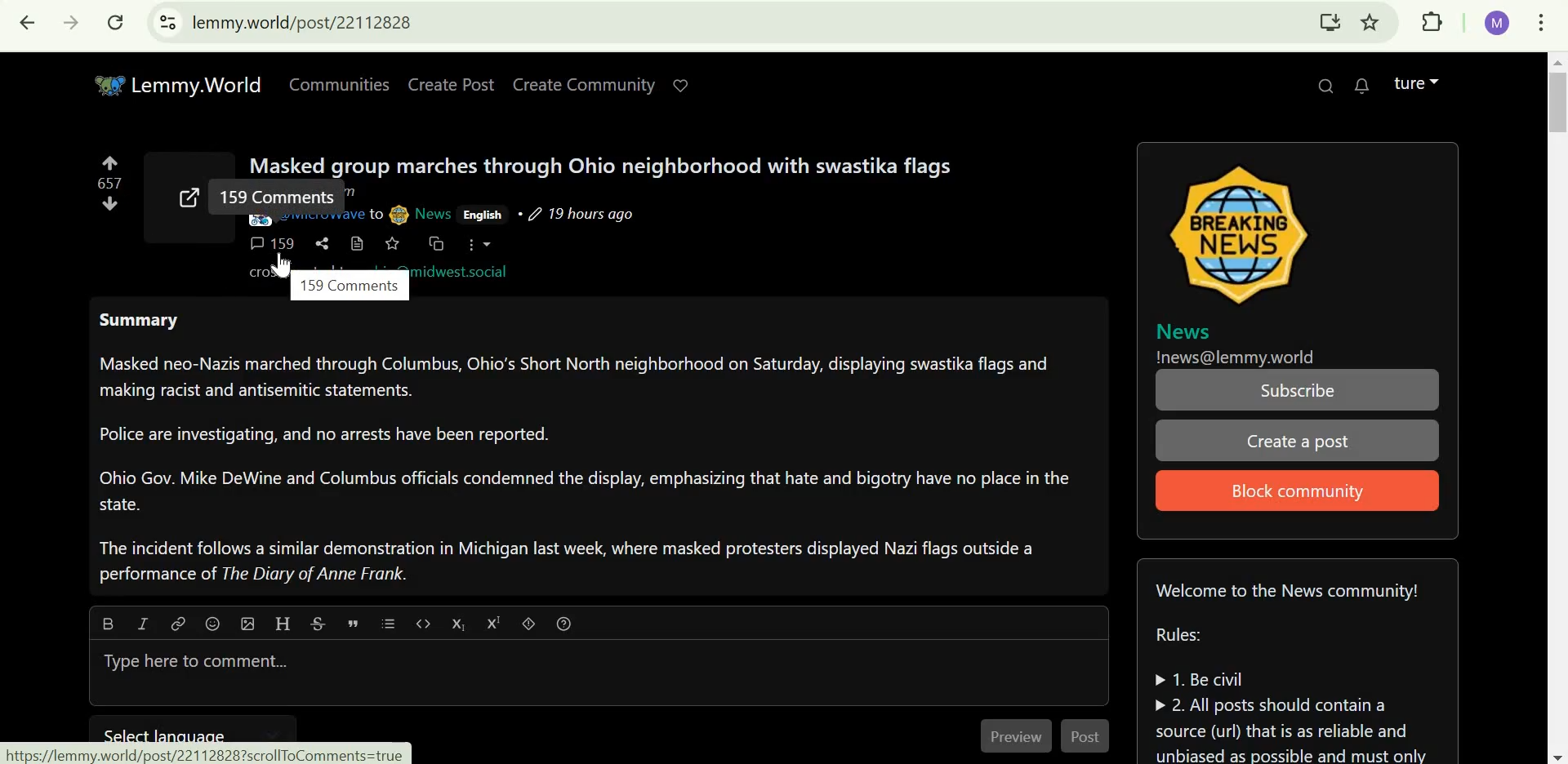 Image resolution: width=1568 pixels, height=764 pixels. Describe the element at coordinates (214, 622) in the screenshot. I see `emoji` at that location.